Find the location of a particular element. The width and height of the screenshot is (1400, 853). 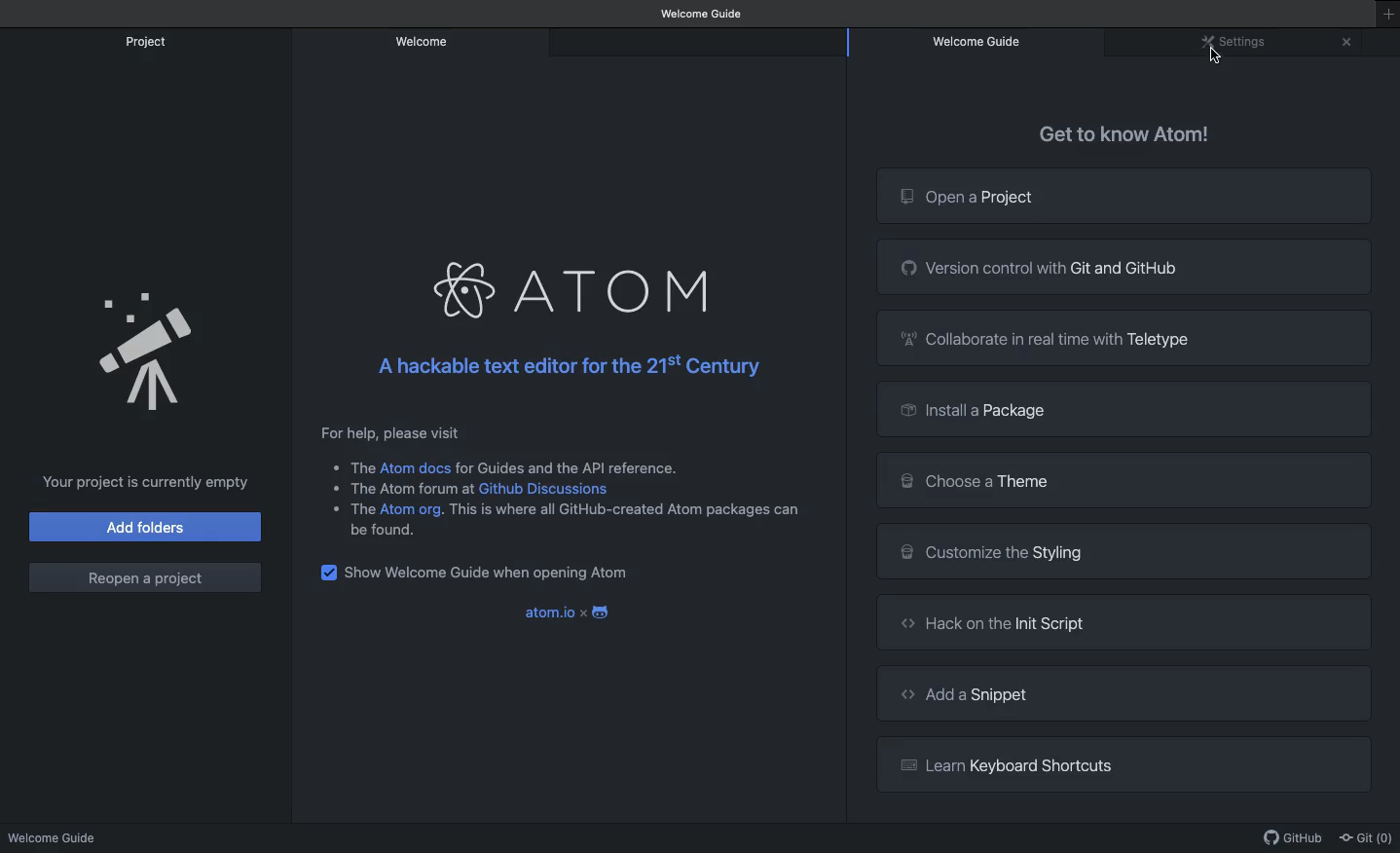

Hack on the init script is located at coordinates (1123, 623).